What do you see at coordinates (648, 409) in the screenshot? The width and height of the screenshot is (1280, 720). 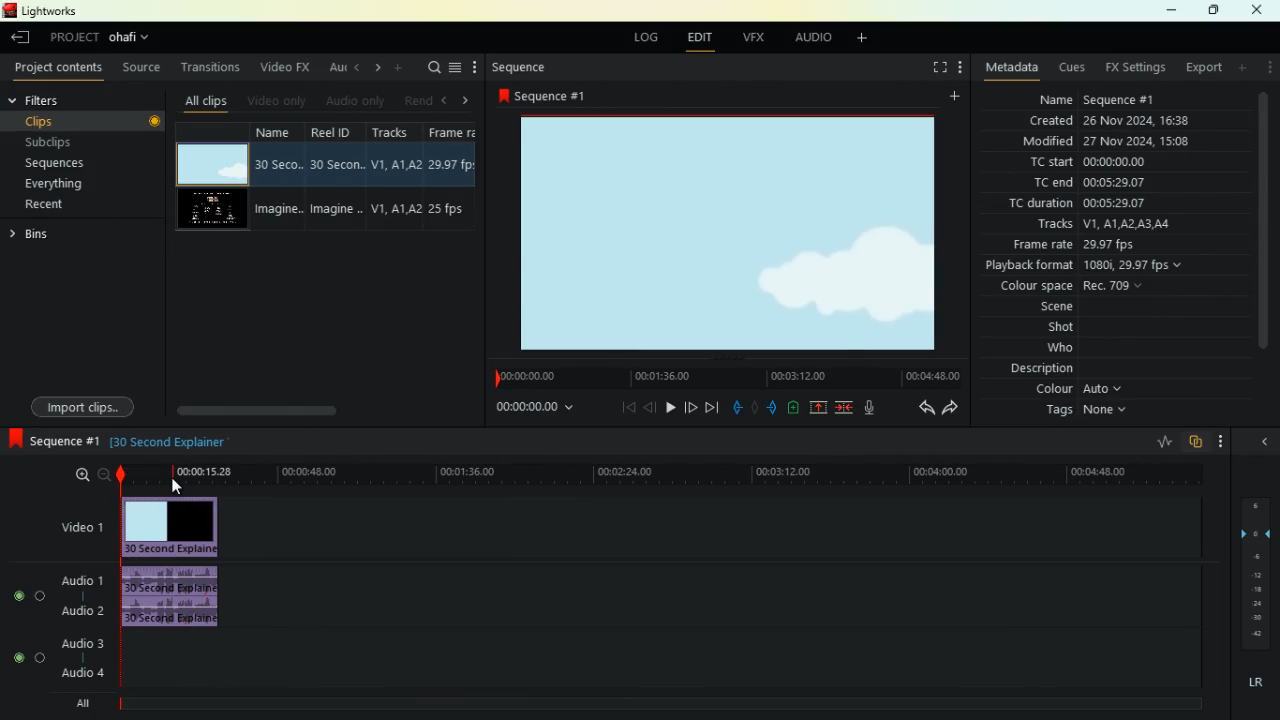 I see `back` at bounding box center [648, 409].